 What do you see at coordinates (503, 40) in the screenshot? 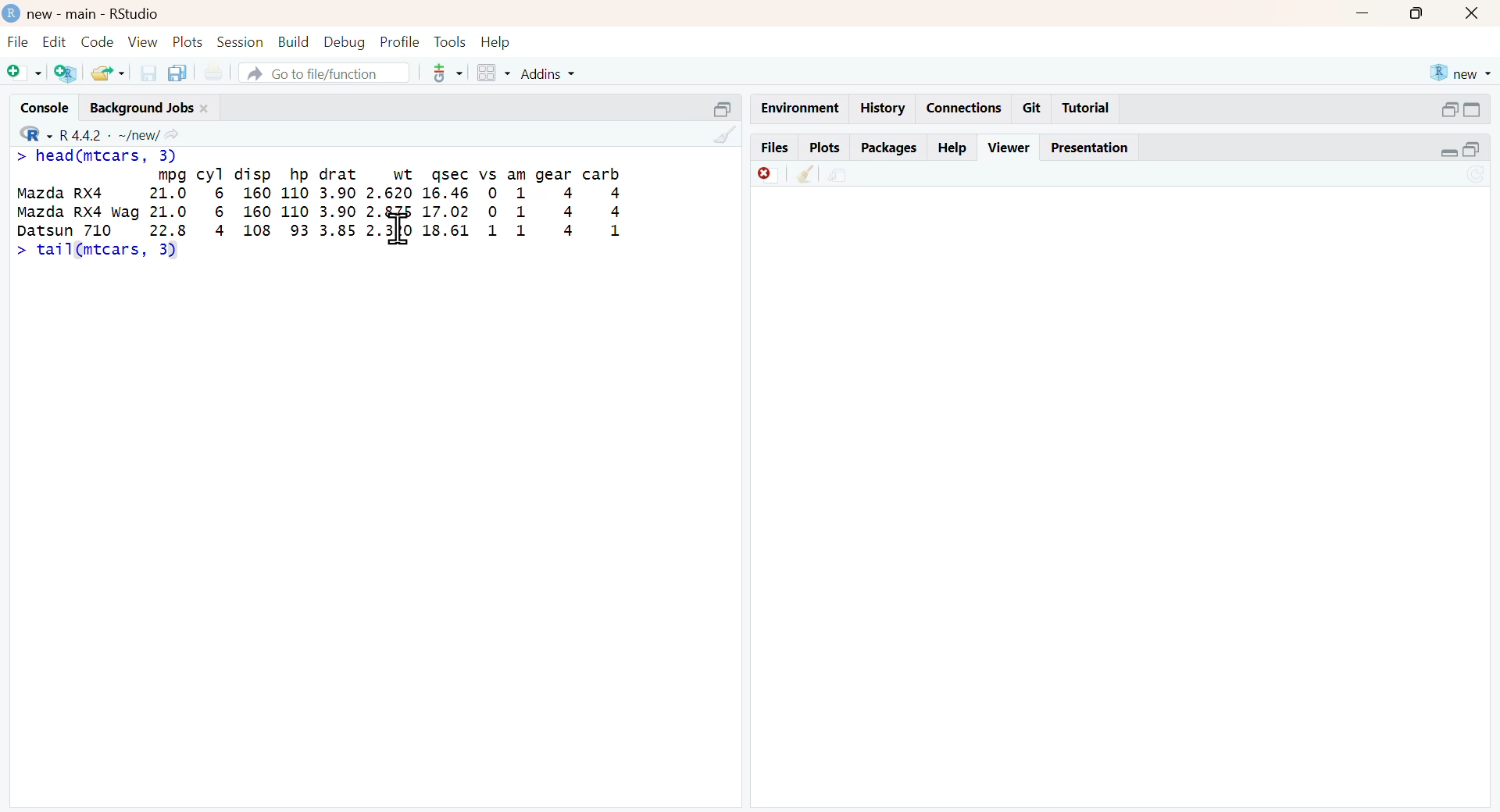
I see `Help` at bounding box center [503, 40].